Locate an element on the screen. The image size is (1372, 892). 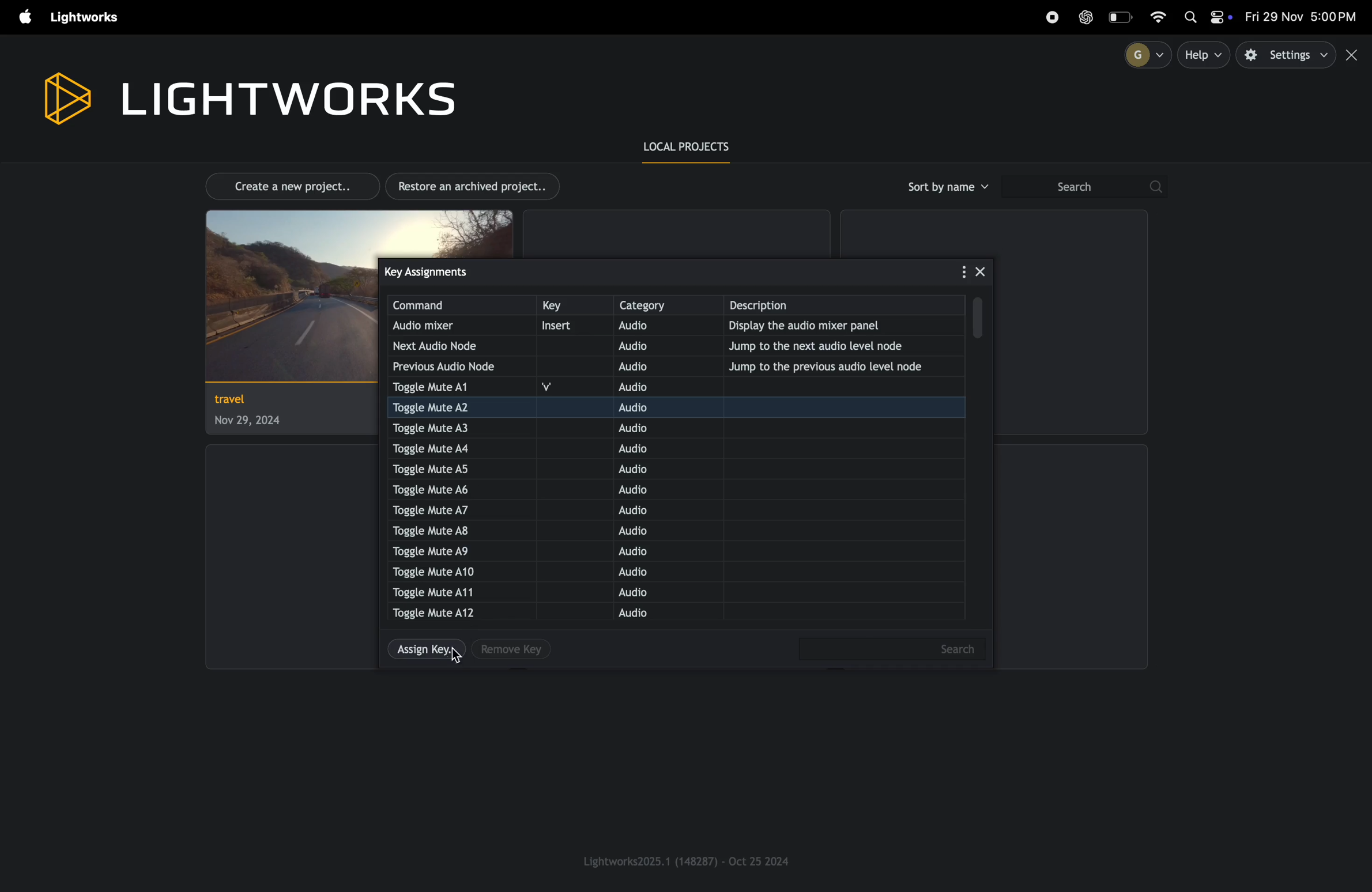
local prroject is located at coordinates (695, 148).